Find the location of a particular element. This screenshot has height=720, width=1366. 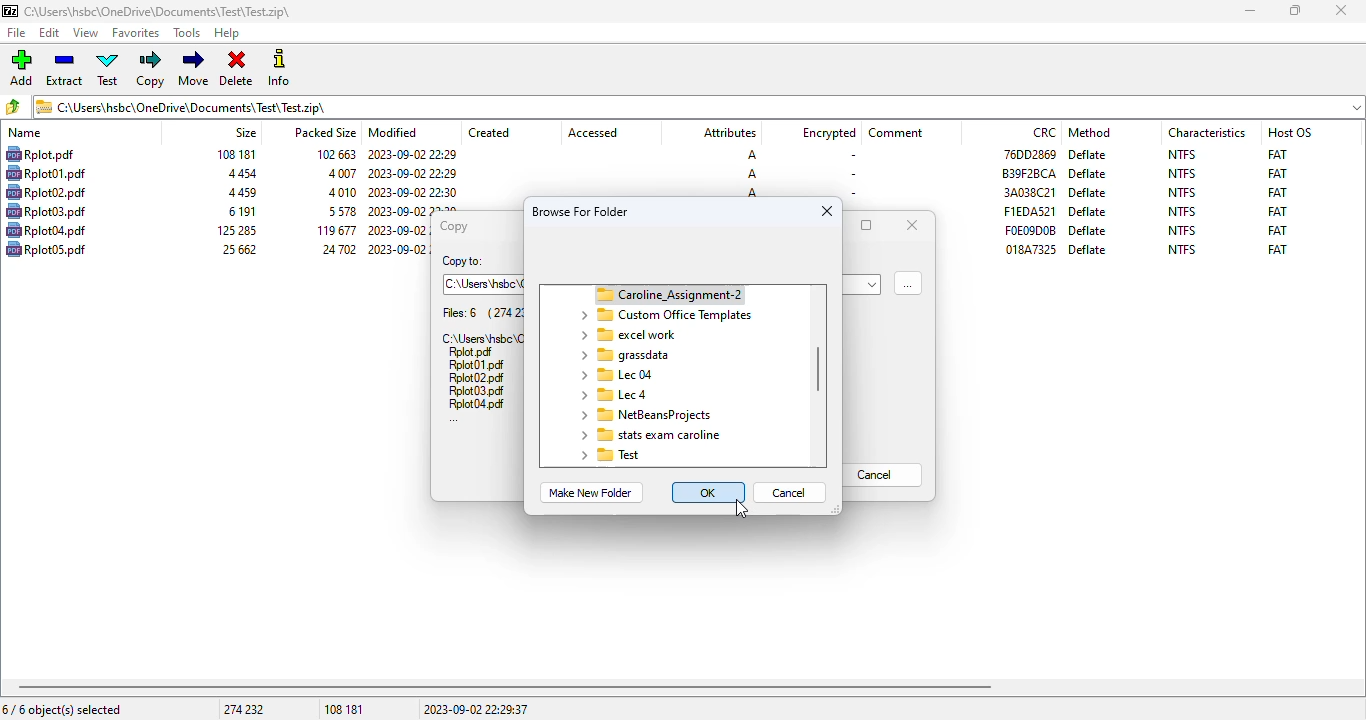

NTFS is located at coordinates (1182, 211).